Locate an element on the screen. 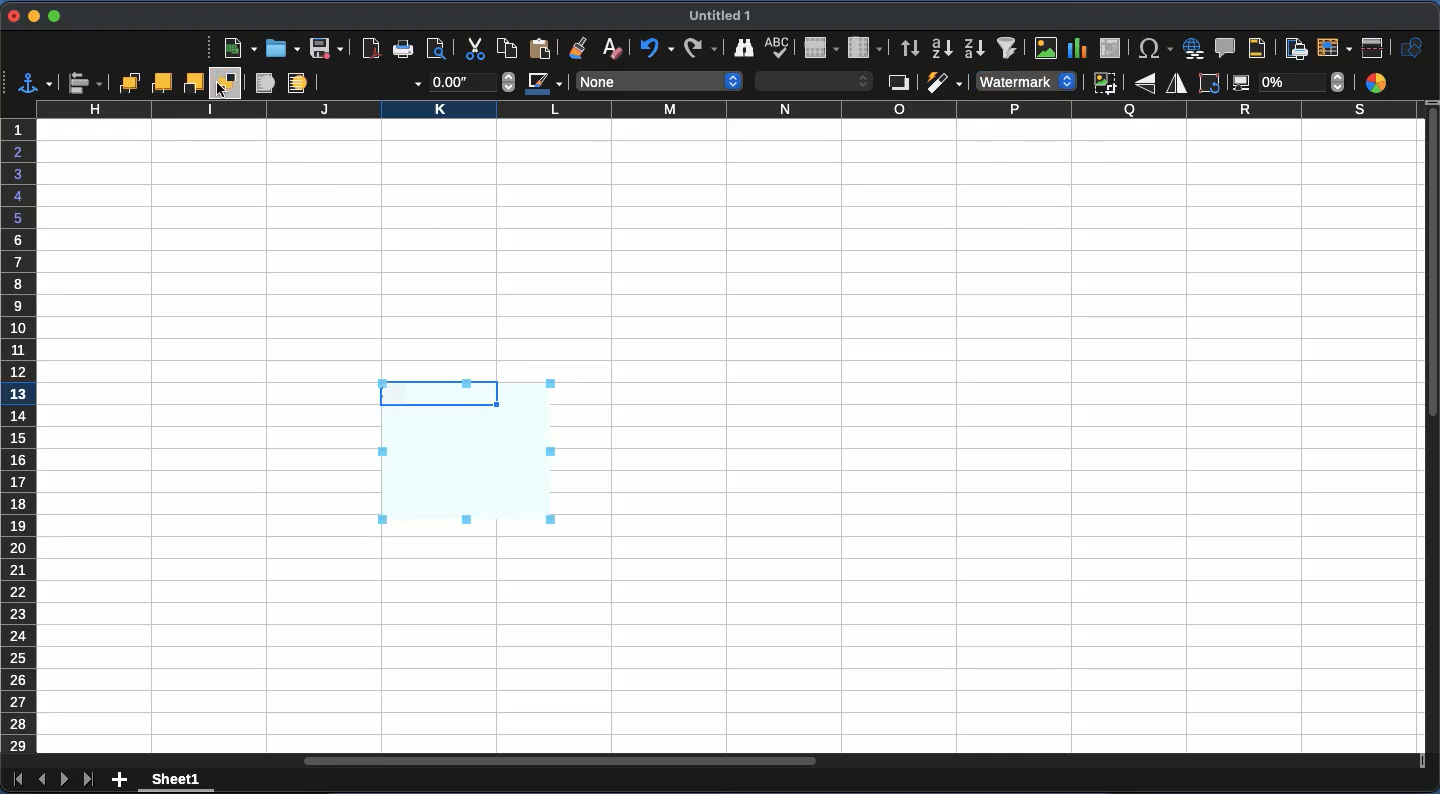 The image size is (1440, 794). special character is located at coordinates (1151, 48).